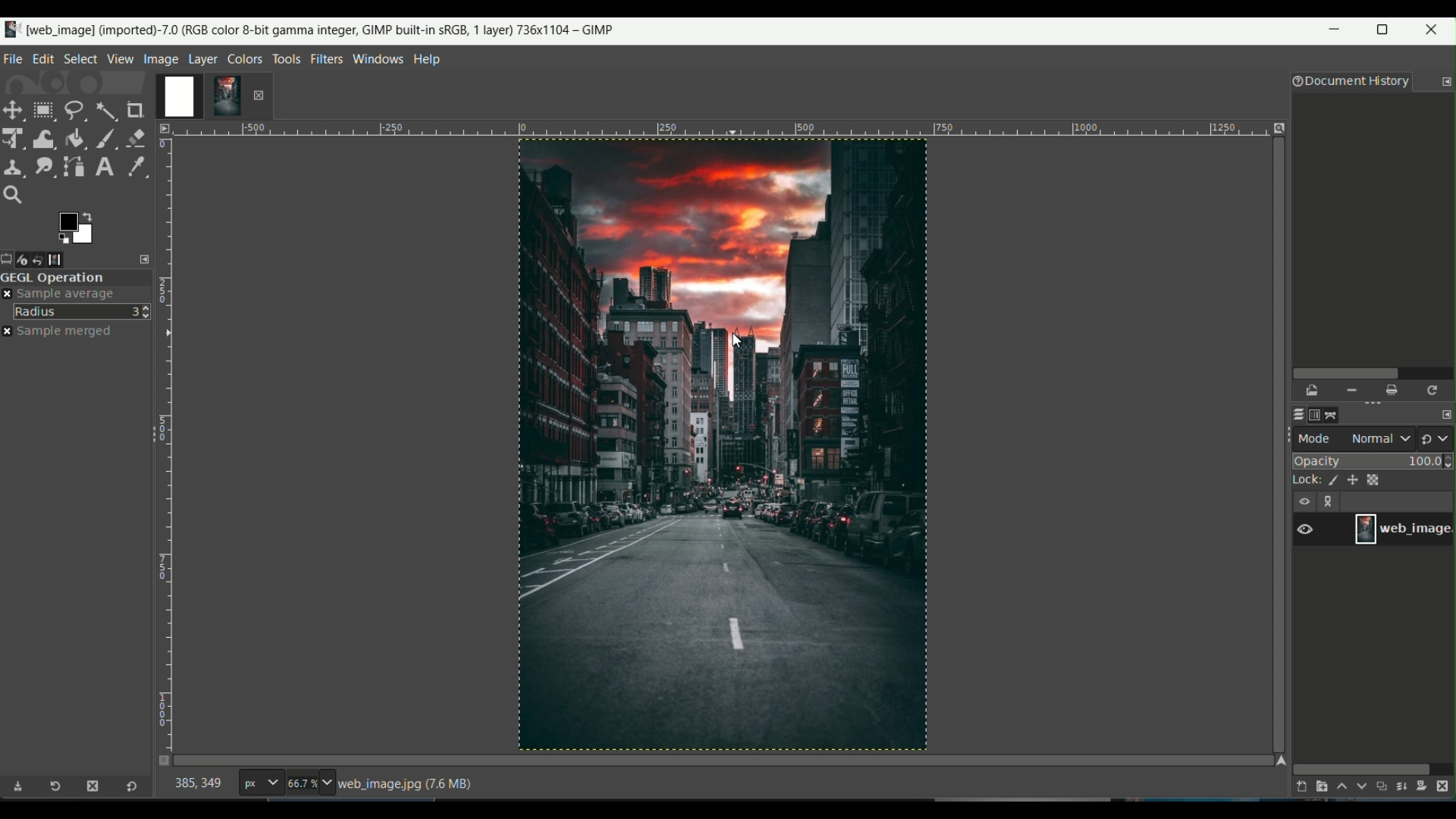  I want to click on imported image, so click(201, 97).